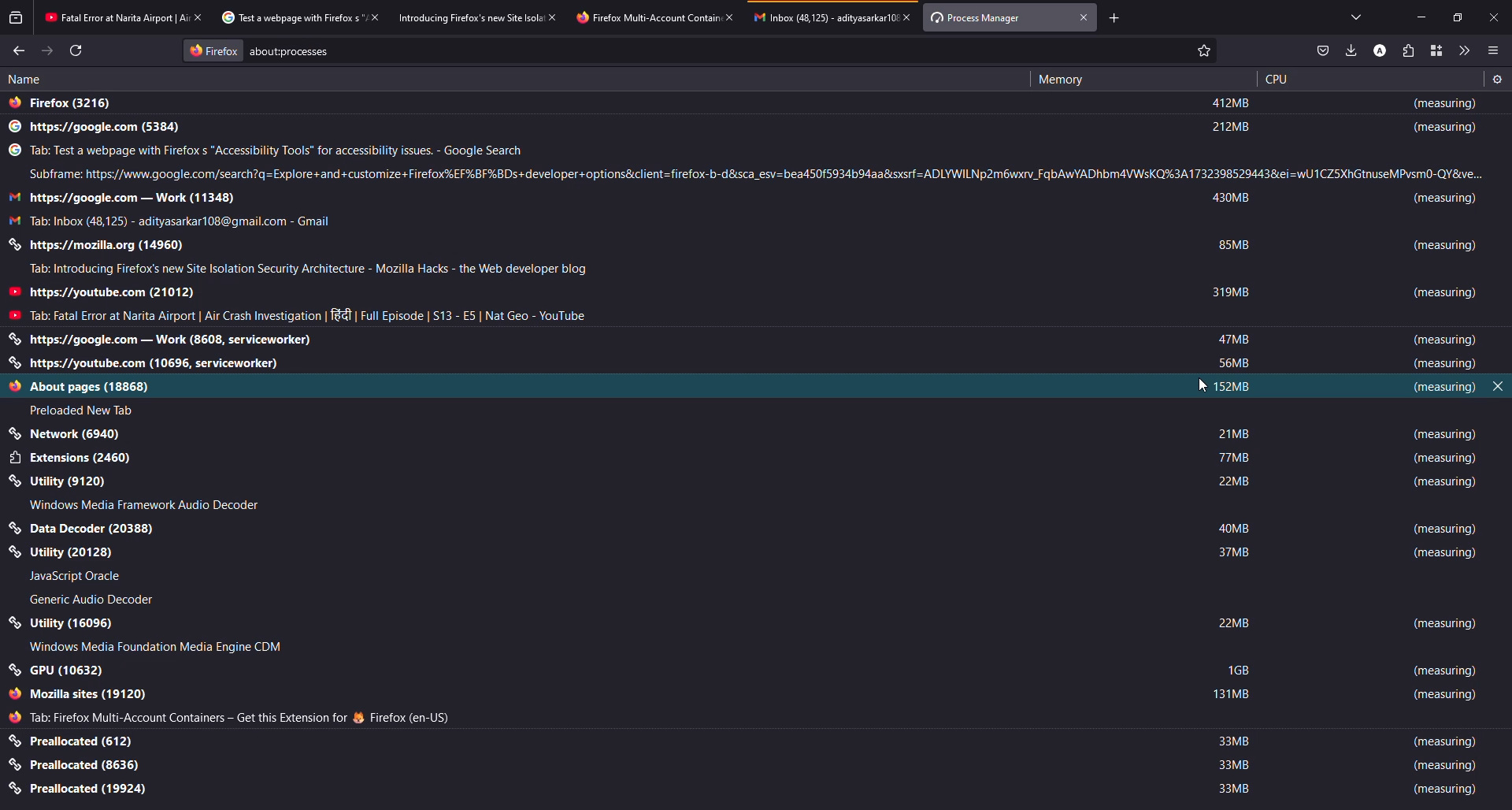 The image size is (1512, 810). What do you see at coordinates (1458, 18) in the screenshot?
I see `maximize` at bounding box center [1458, 18].